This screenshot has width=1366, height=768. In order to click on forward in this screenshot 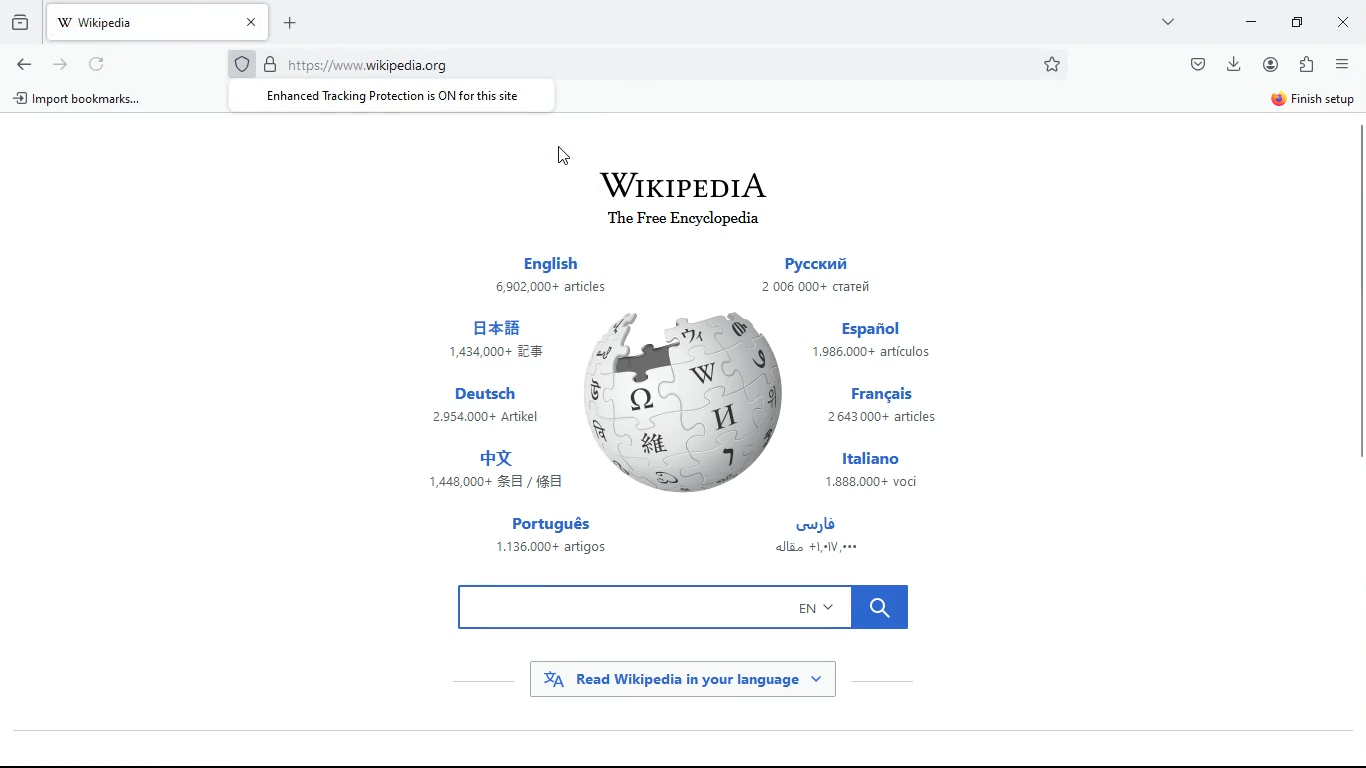, I will do `click(63, 63)`.